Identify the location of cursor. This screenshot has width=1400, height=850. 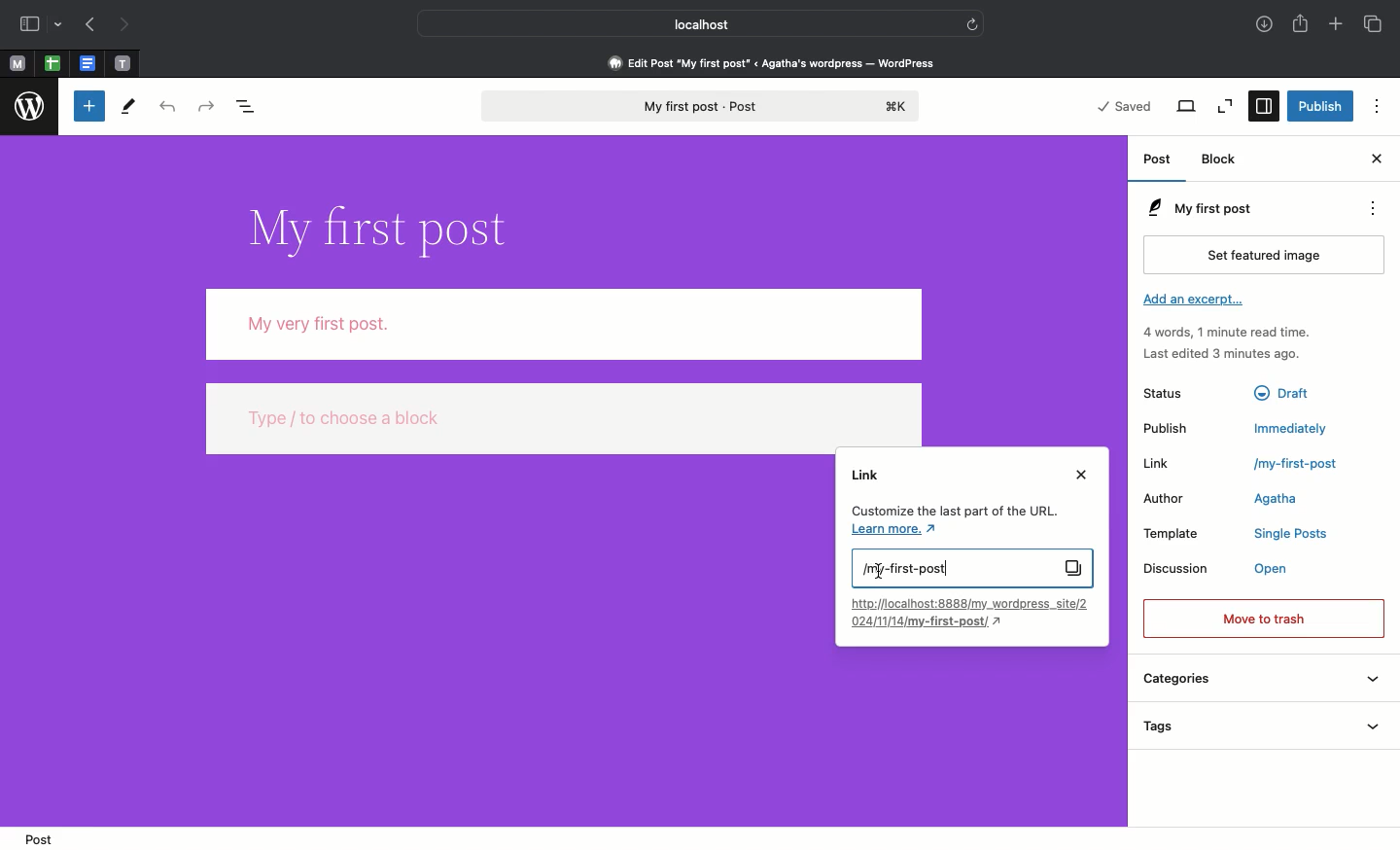
(879, 574).